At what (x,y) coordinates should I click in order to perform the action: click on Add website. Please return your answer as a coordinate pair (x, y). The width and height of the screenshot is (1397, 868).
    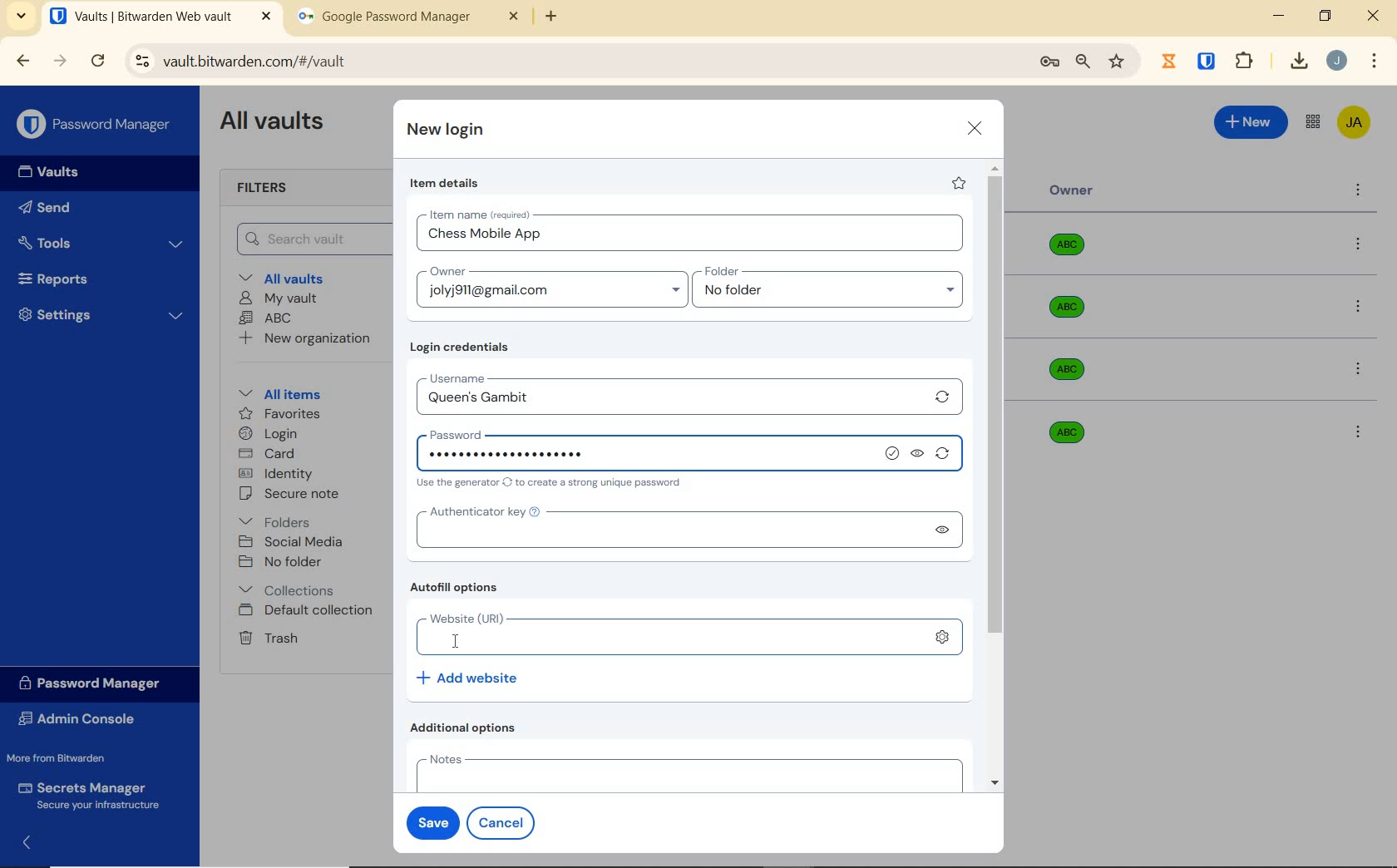
    Looking at the image, I should click on (469, 677).